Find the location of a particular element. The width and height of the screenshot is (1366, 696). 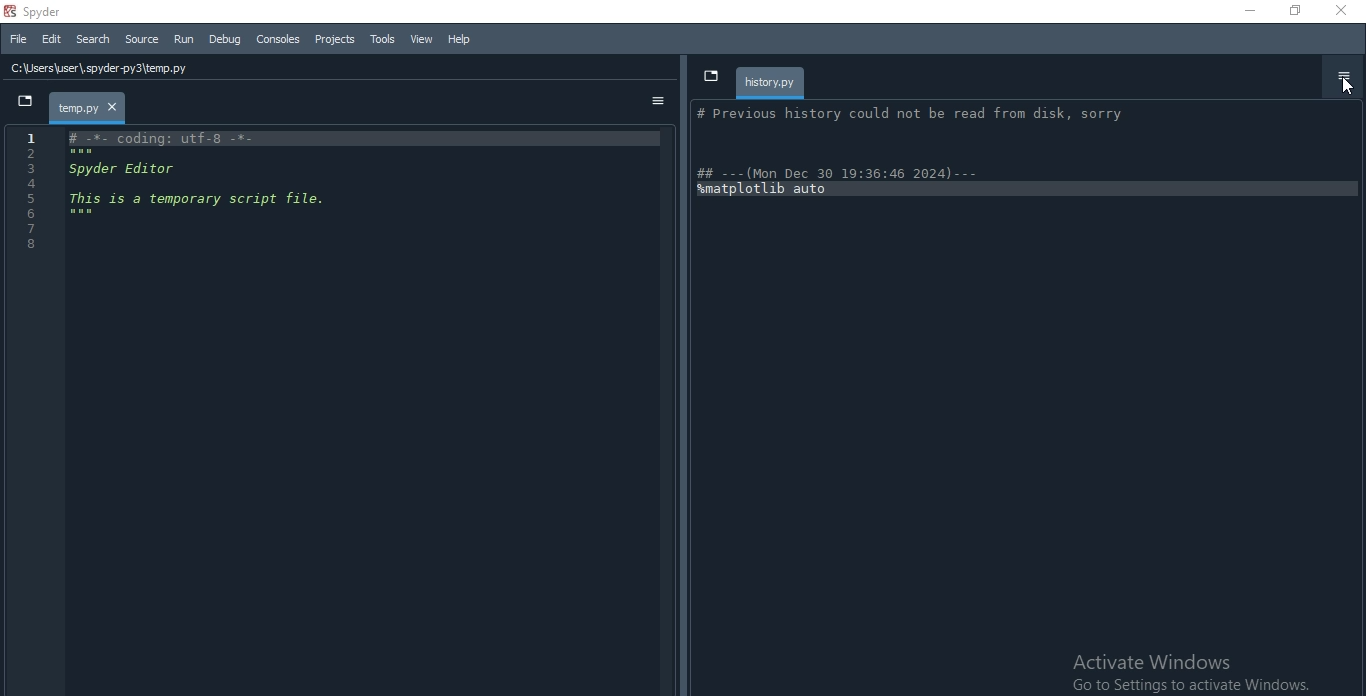

spyder is located at coordinates (40, 12).